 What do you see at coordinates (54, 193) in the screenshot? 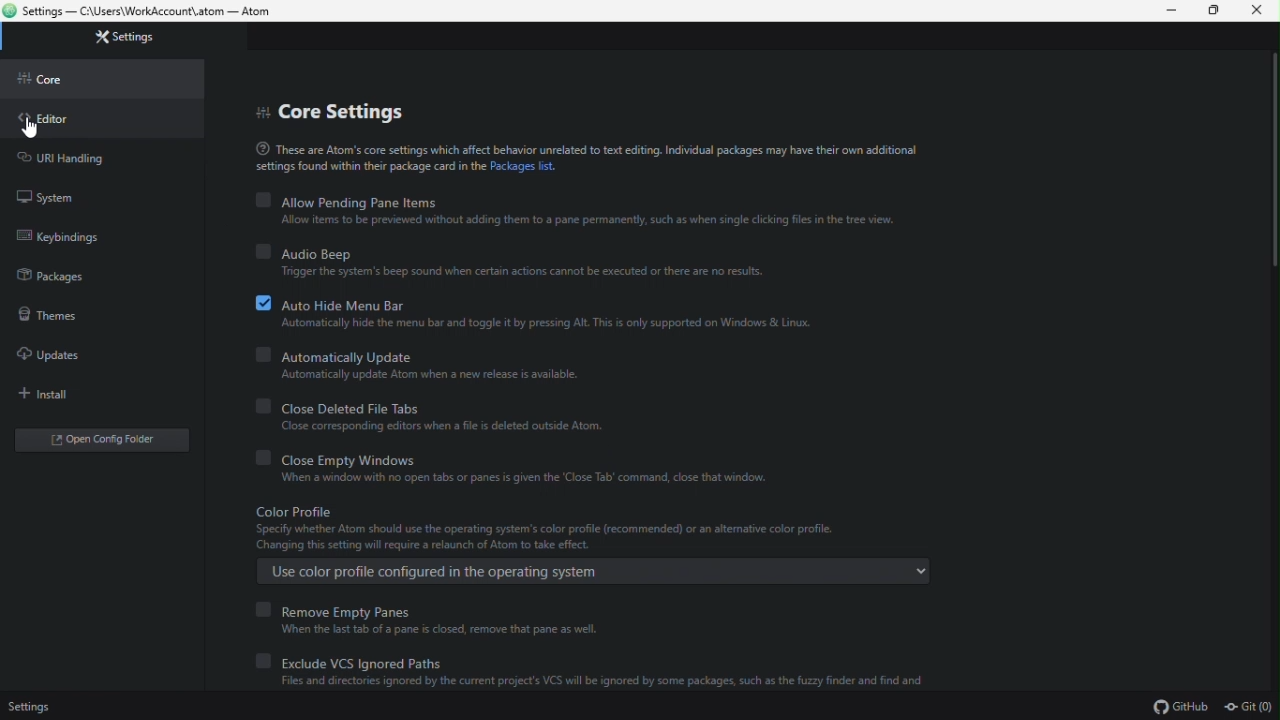
I see `System` at bounding box center [54, 193].